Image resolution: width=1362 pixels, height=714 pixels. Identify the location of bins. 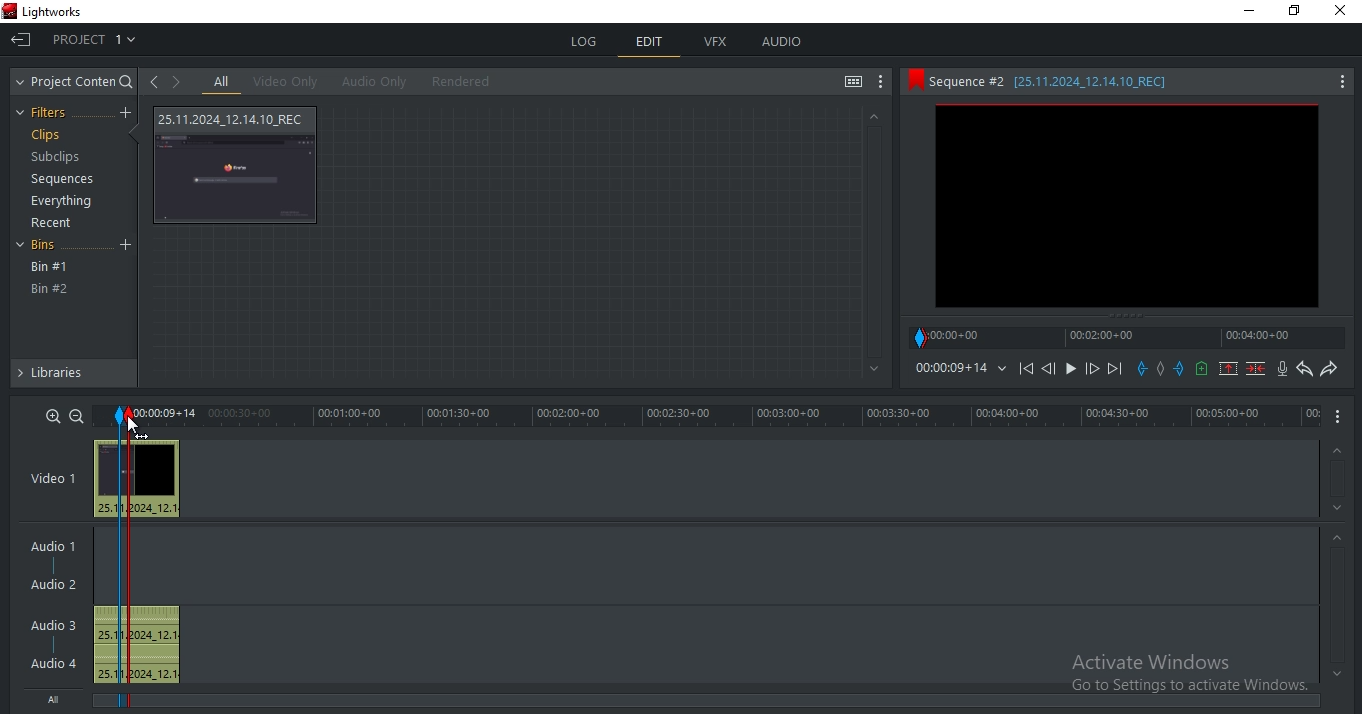
(49, 247).